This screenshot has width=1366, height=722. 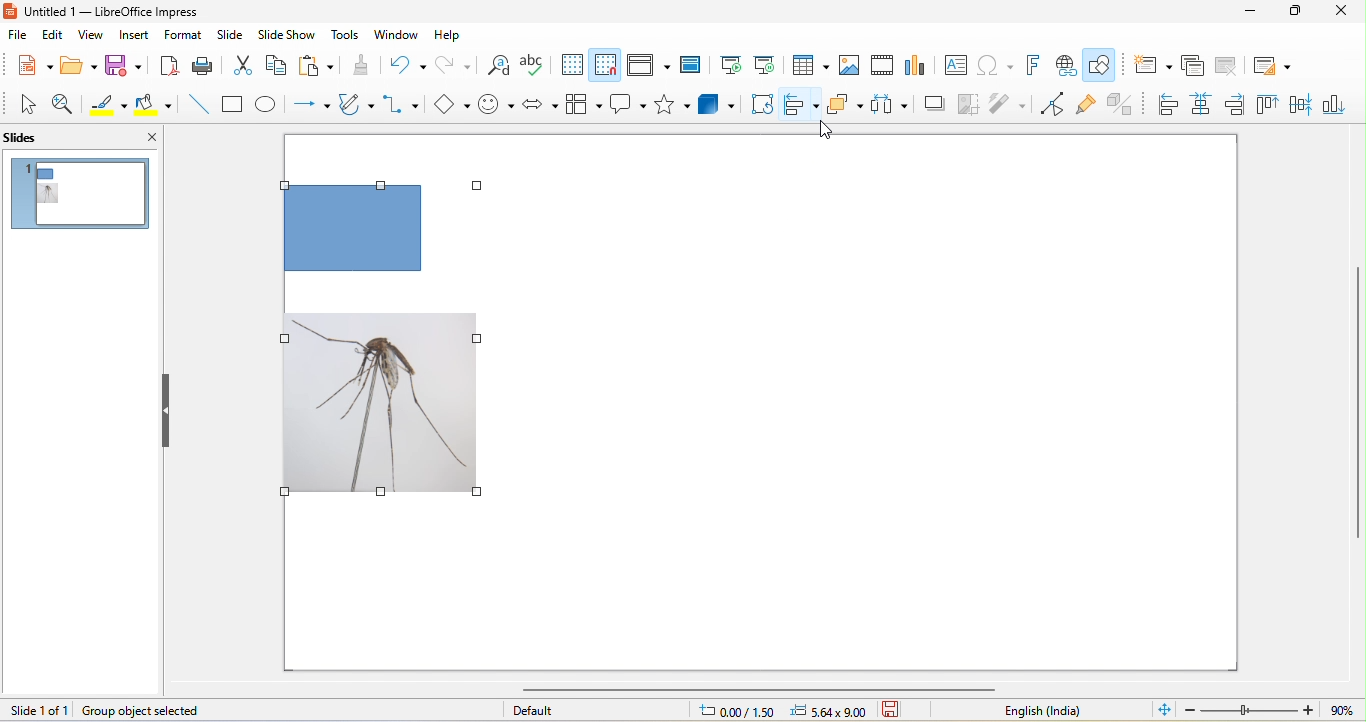 I want to click on chart, so click(x=919, y=68).